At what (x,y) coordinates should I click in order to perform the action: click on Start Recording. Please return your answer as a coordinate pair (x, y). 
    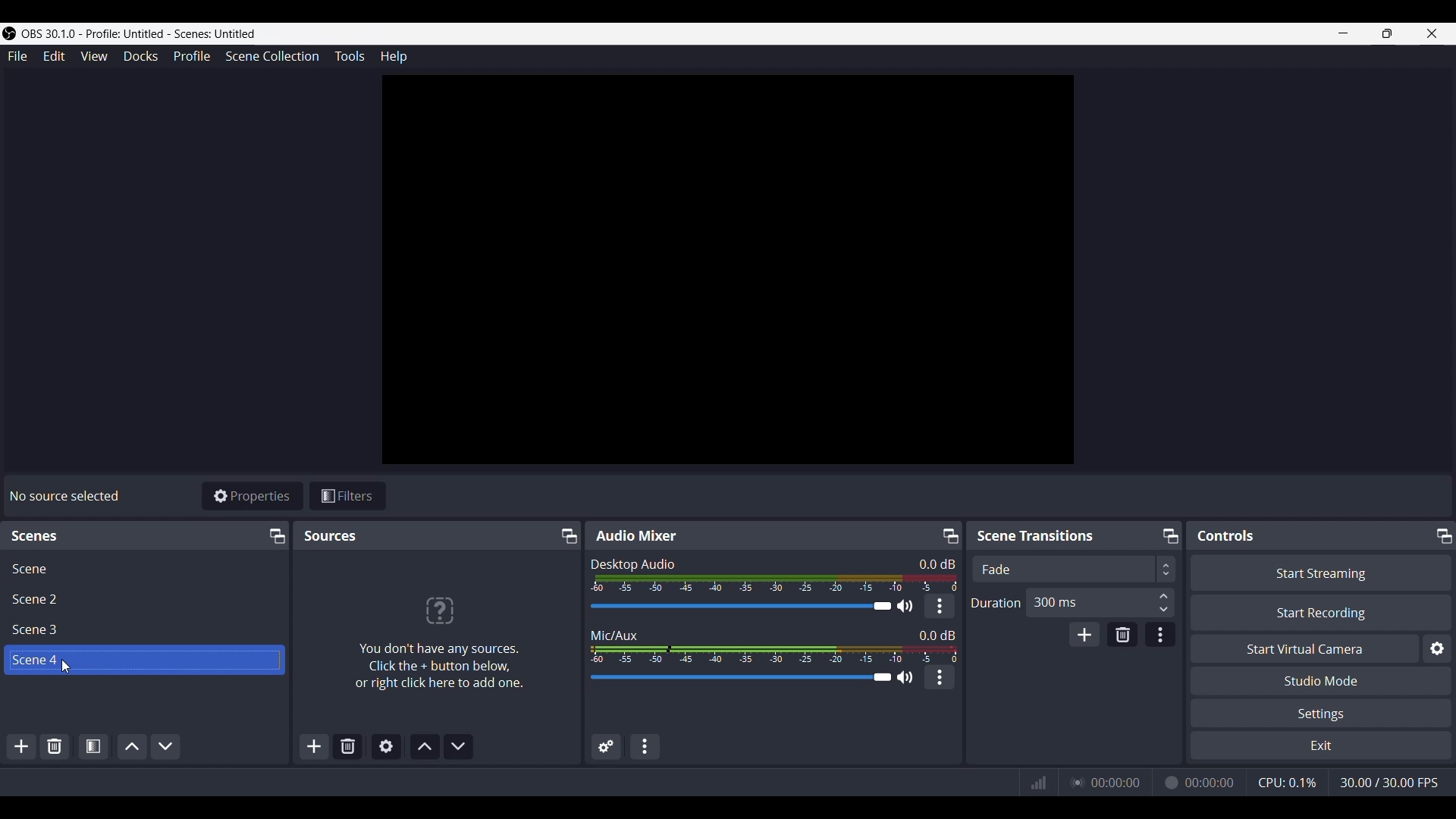
    Looking at the image, I should click on (1322, 612).